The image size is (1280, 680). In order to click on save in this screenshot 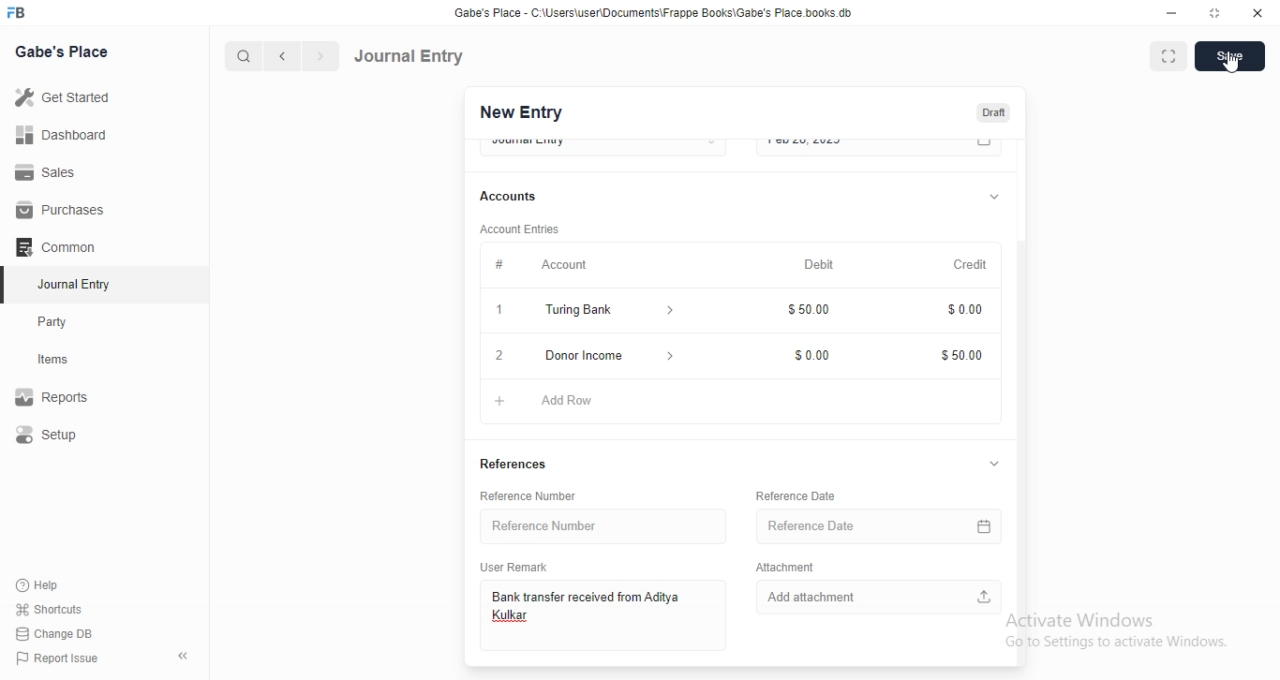, I will do `click(1232, 56)`.